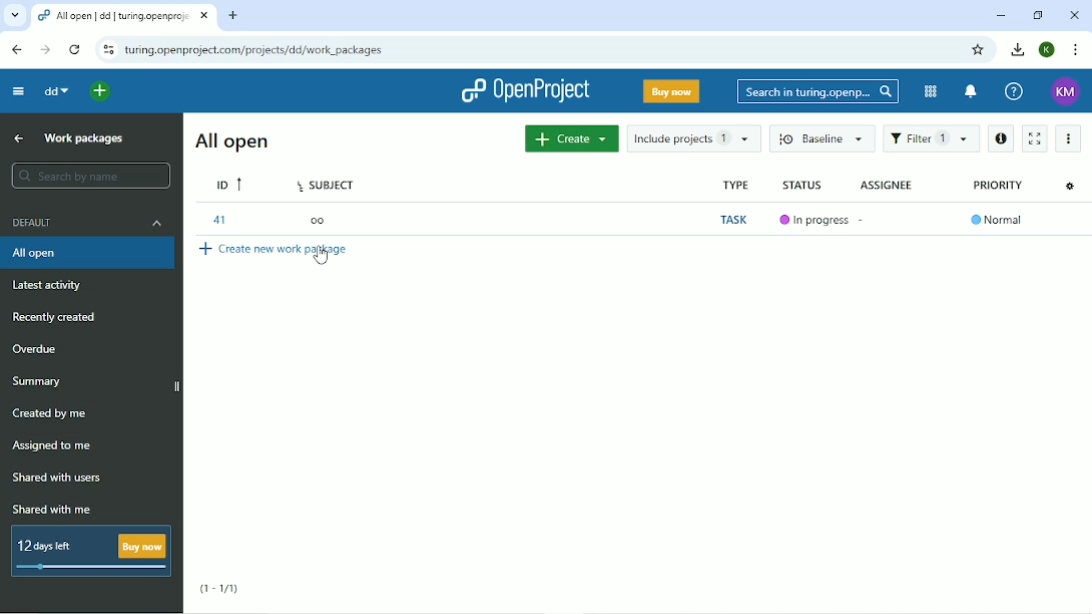 The height and width of the screenshot is (614, 1092). I want to click on Shared with me, so click(51, 510).